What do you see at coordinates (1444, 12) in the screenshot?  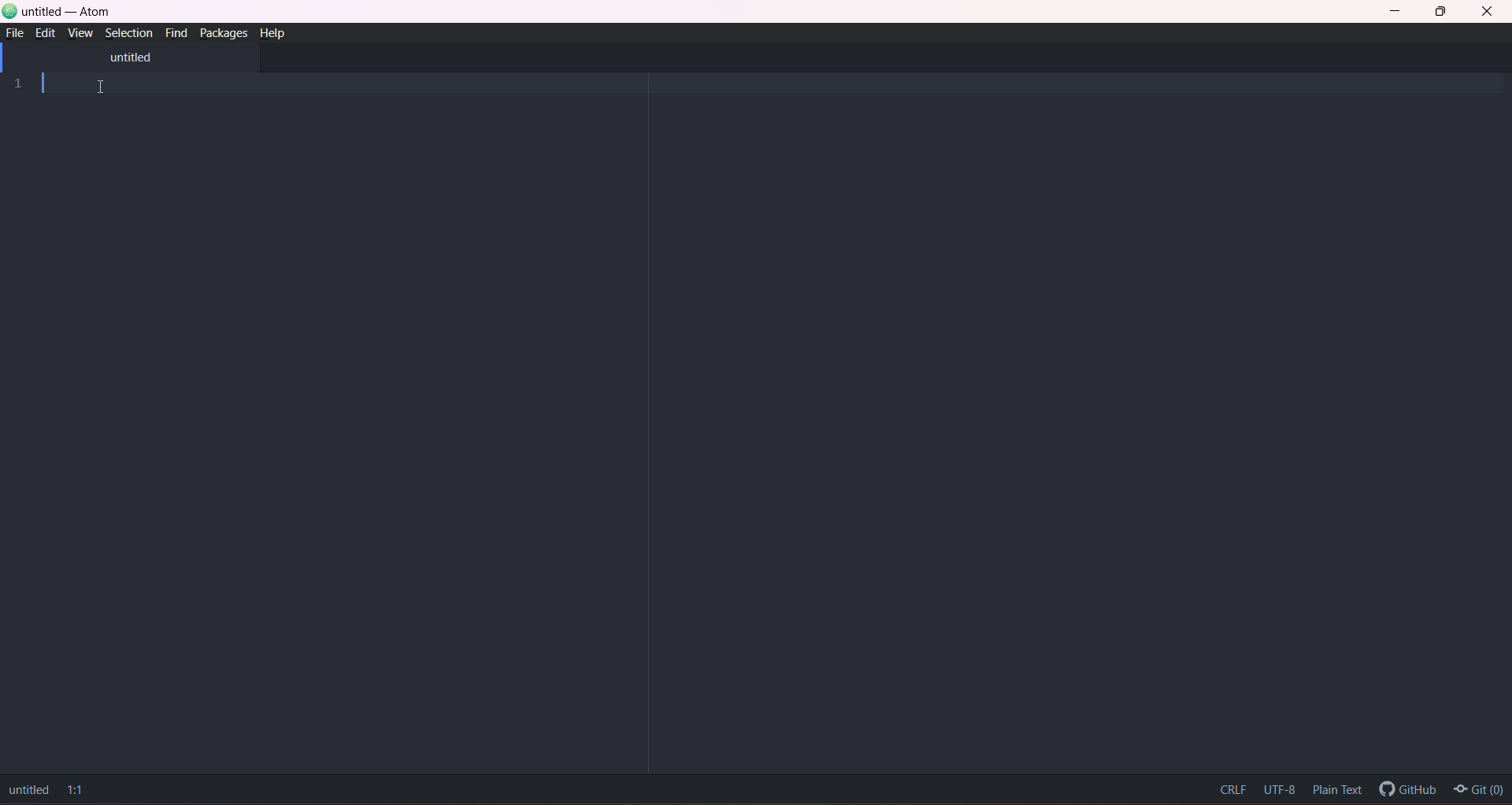 I see `Maximize` at bounding box center [1444, 12].